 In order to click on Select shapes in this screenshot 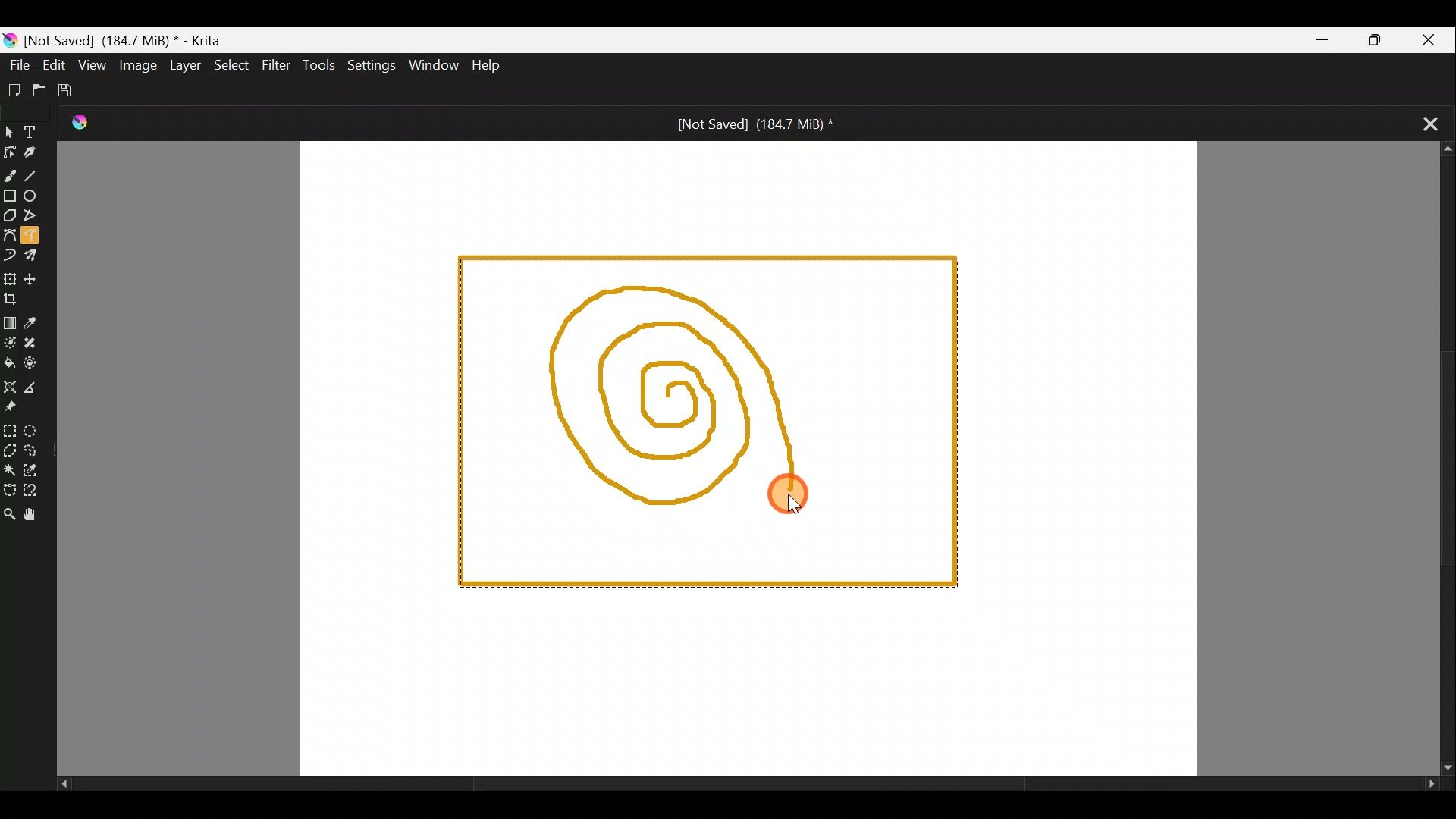, I will do `click(11, 130)`.